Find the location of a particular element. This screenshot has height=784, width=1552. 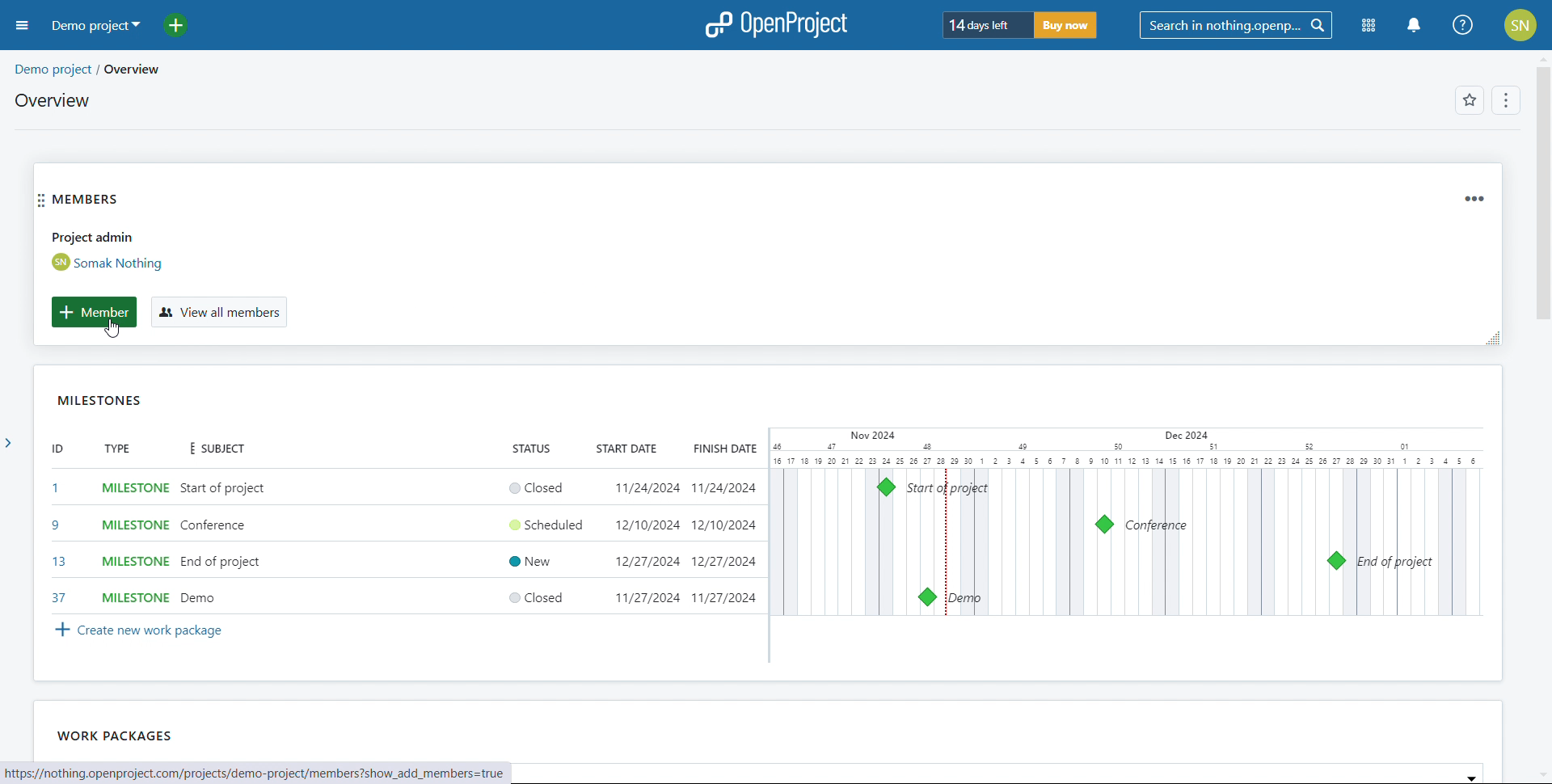

hte f fn thing nnannrniact ram ineniacte damn. neniact fmanmbhare chow add members=true is located at coordinates (300, 769).